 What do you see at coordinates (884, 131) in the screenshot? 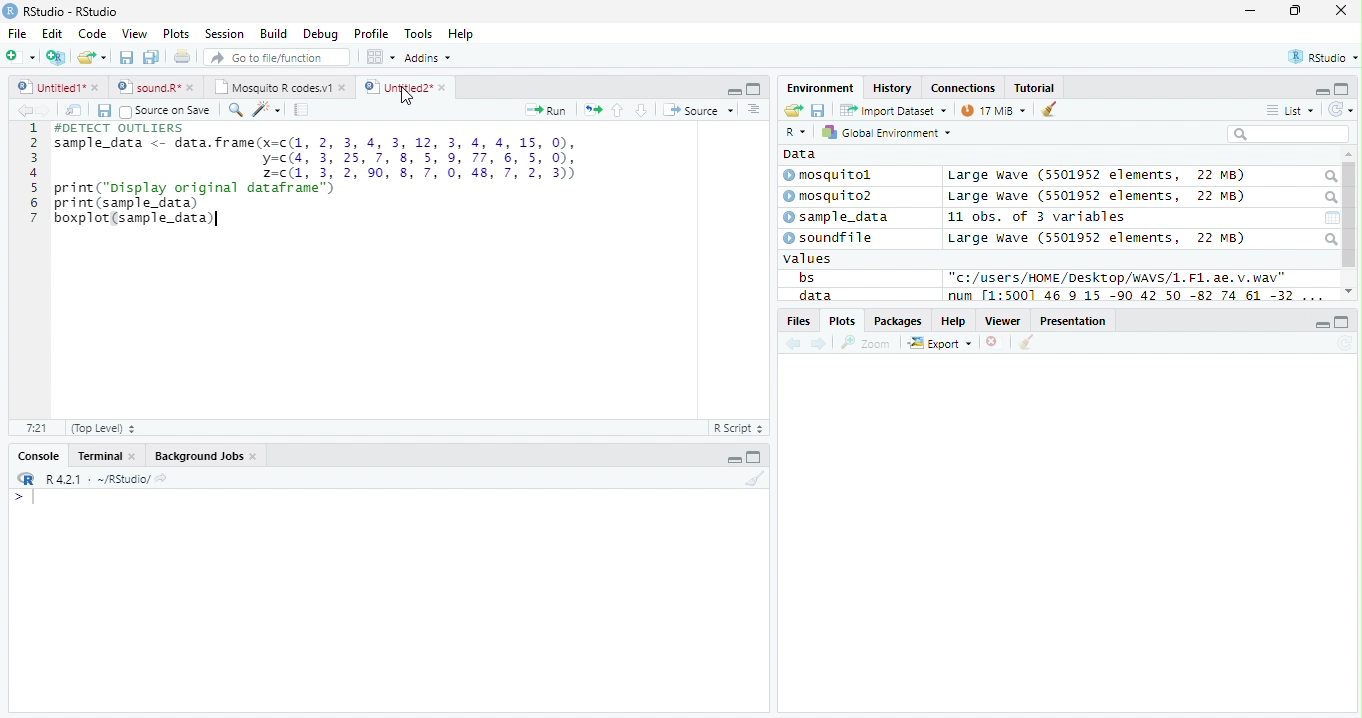
I see `Global Environment` at bounding box center [884, 131].